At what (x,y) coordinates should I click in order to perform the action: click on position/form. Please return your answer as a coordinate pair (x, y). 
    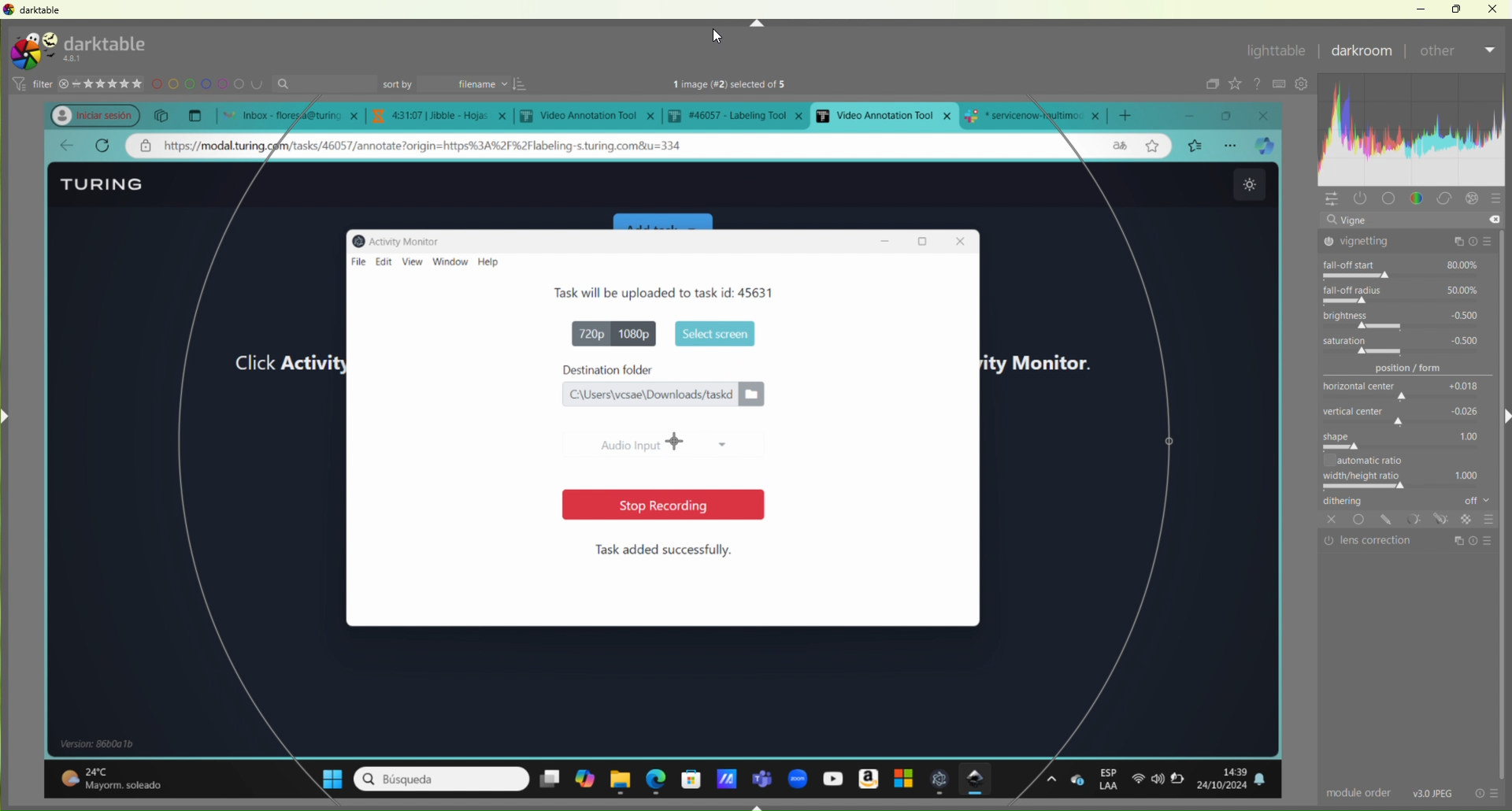
    Looking at the image, I should click on (1401, 367).